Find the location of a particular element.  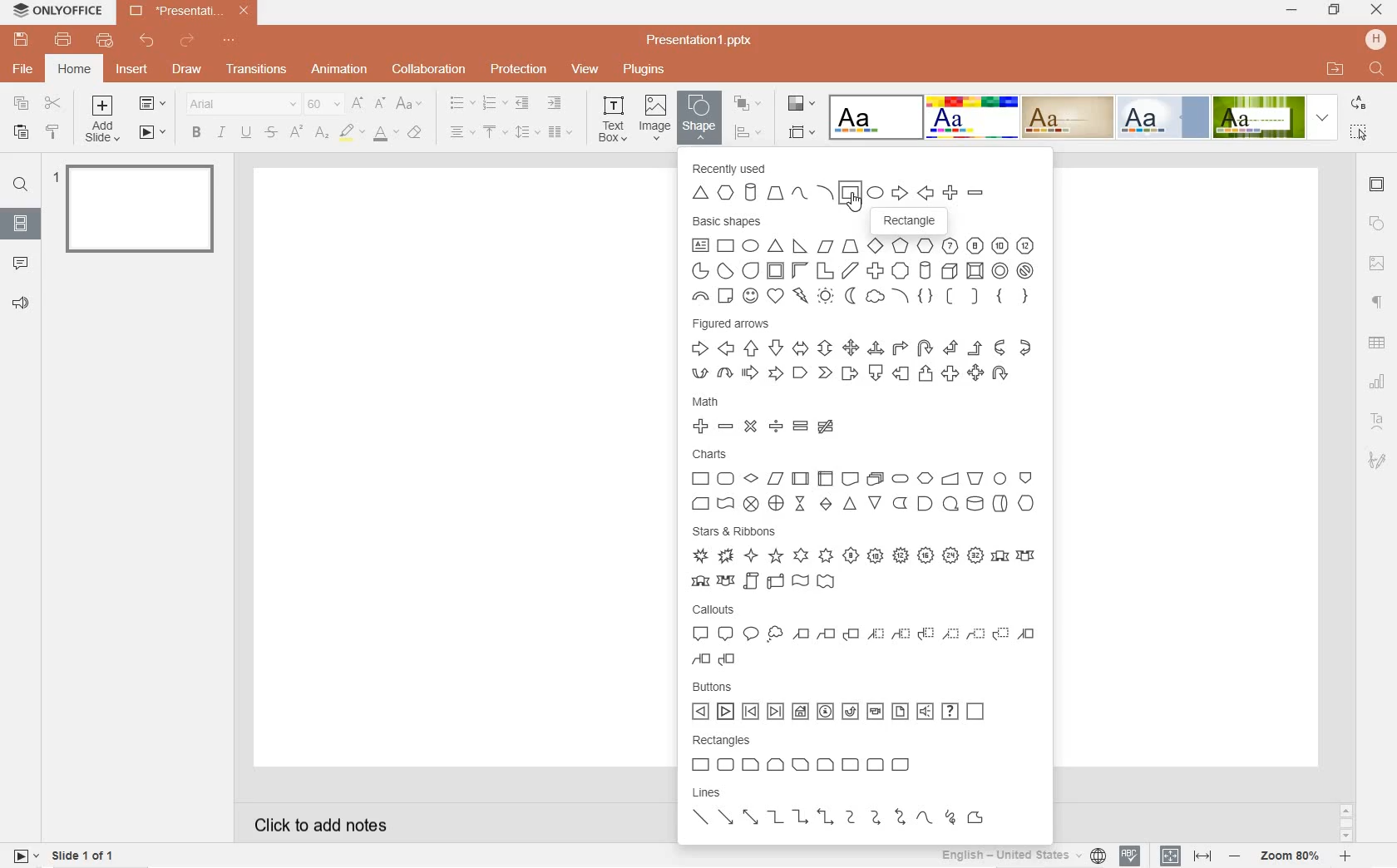

MINIMIZE is located at coordinates (1292, 12).